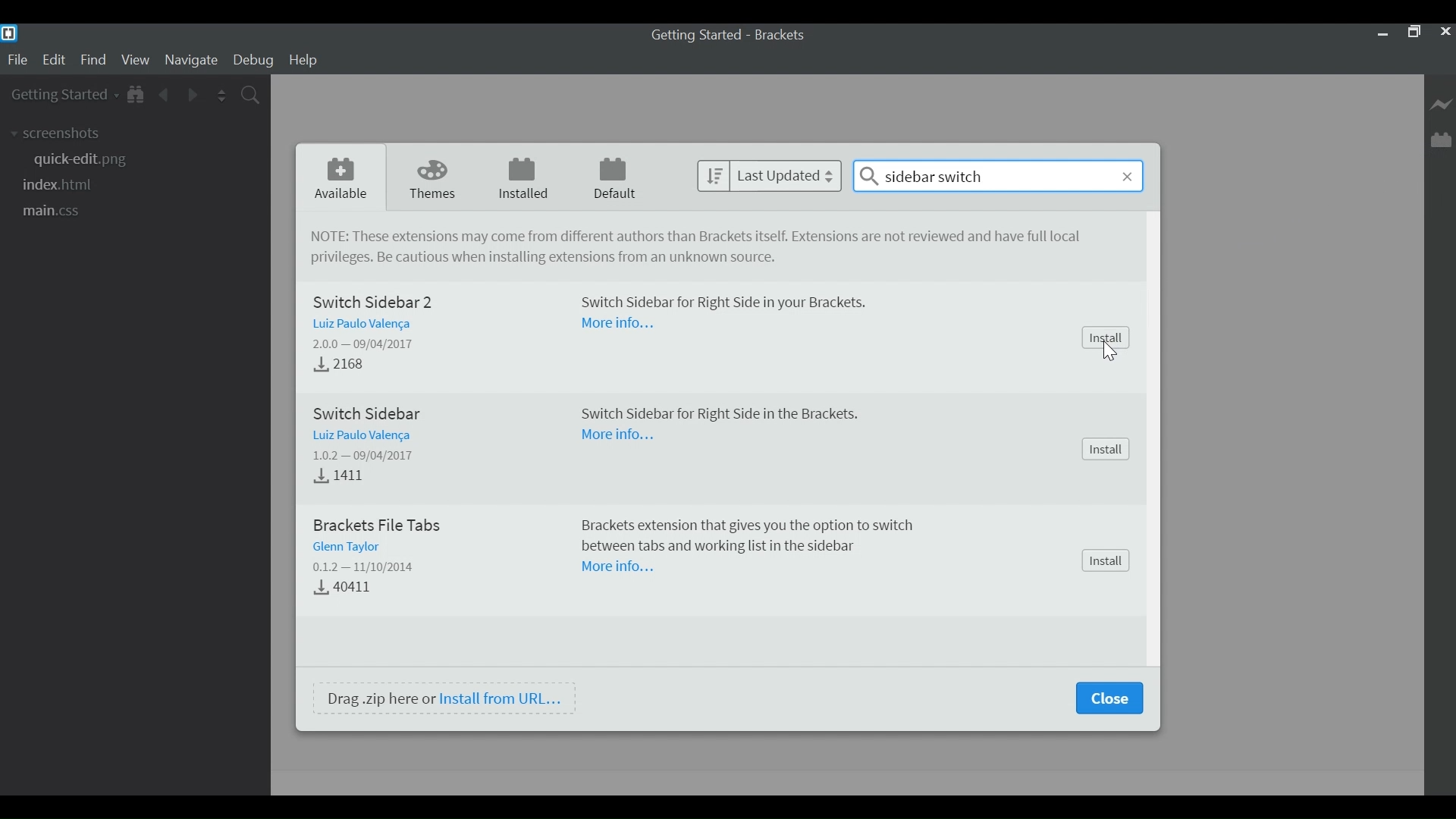 This screenshot has height=819, width=1456. What do you see at coordinates (342, 176) in the screenshot?
I see `Available` at bounding box center [342, 176].